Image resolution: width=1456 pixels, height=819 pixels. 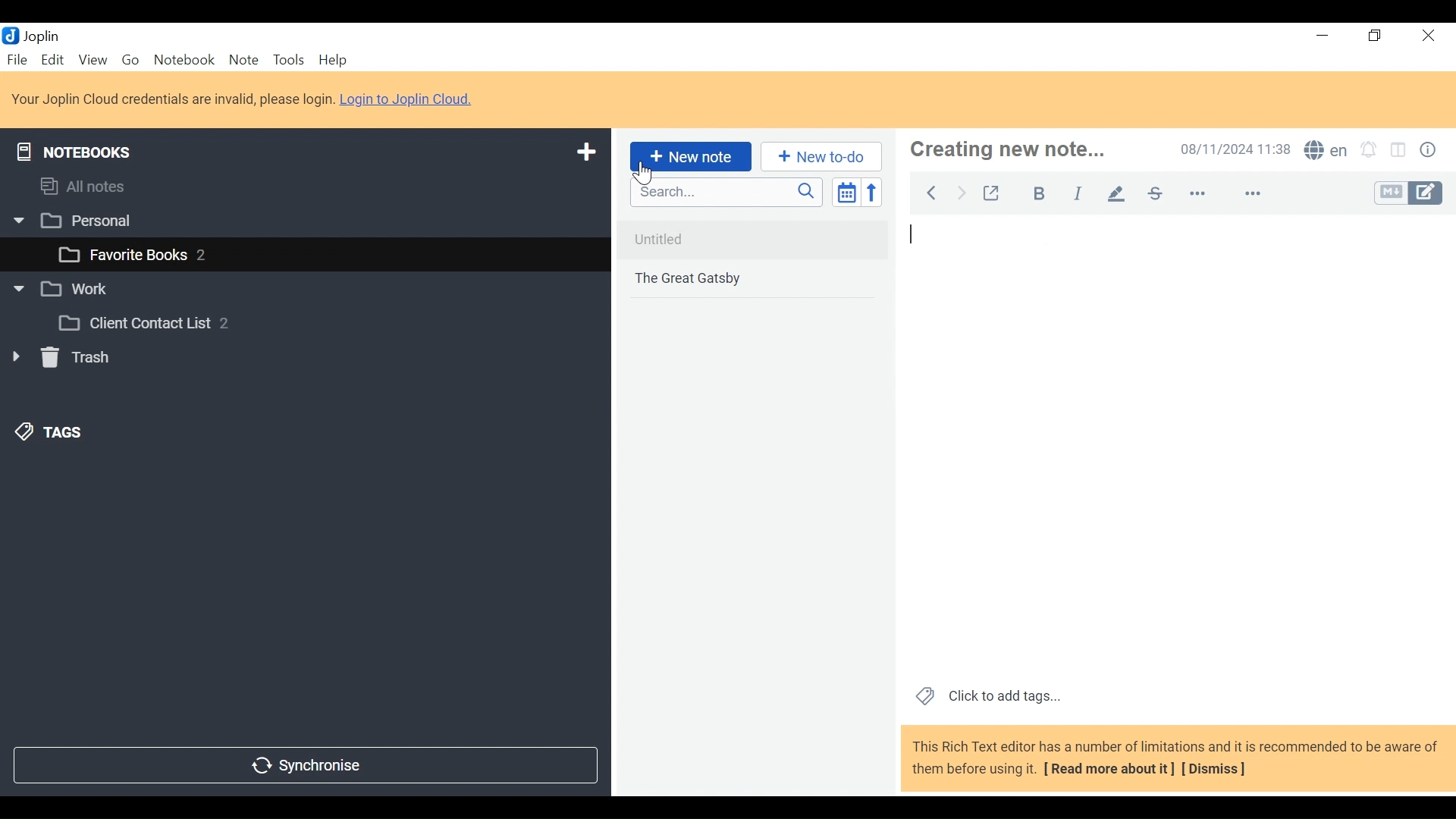 I want to click on Back, so click(x=934, y=193).